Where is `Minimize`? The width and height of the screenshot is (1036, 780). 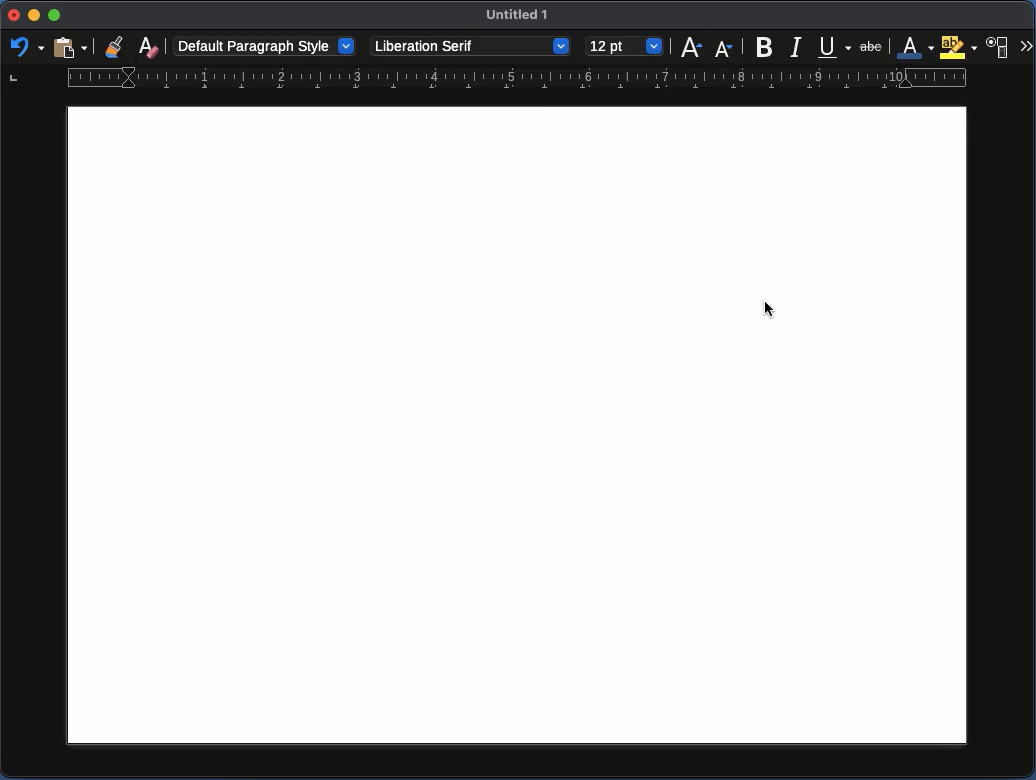
Minimize is located at coordinates (56, 16).